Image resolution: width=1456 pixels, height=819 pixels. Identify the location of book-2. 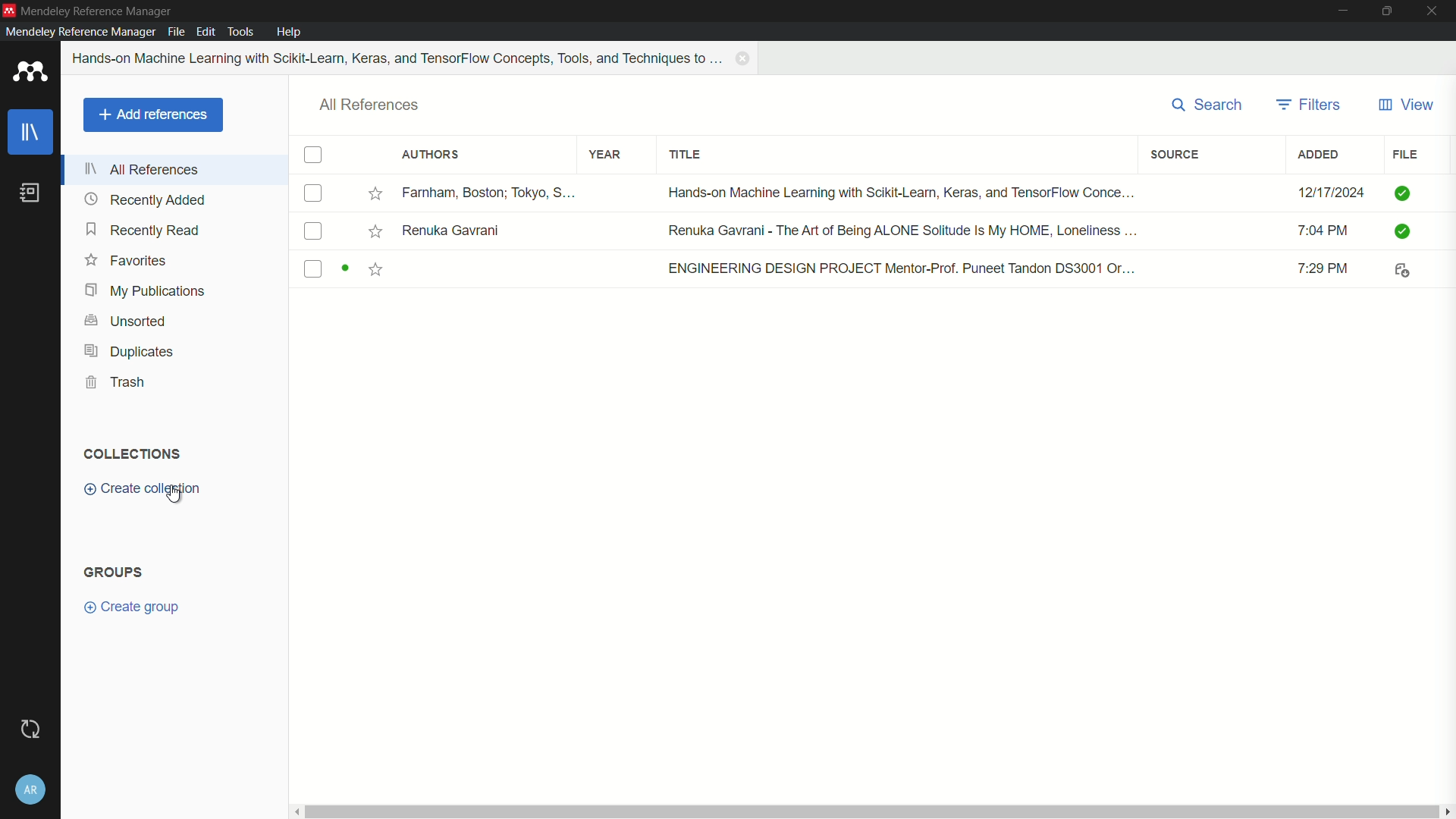
(866, 231).